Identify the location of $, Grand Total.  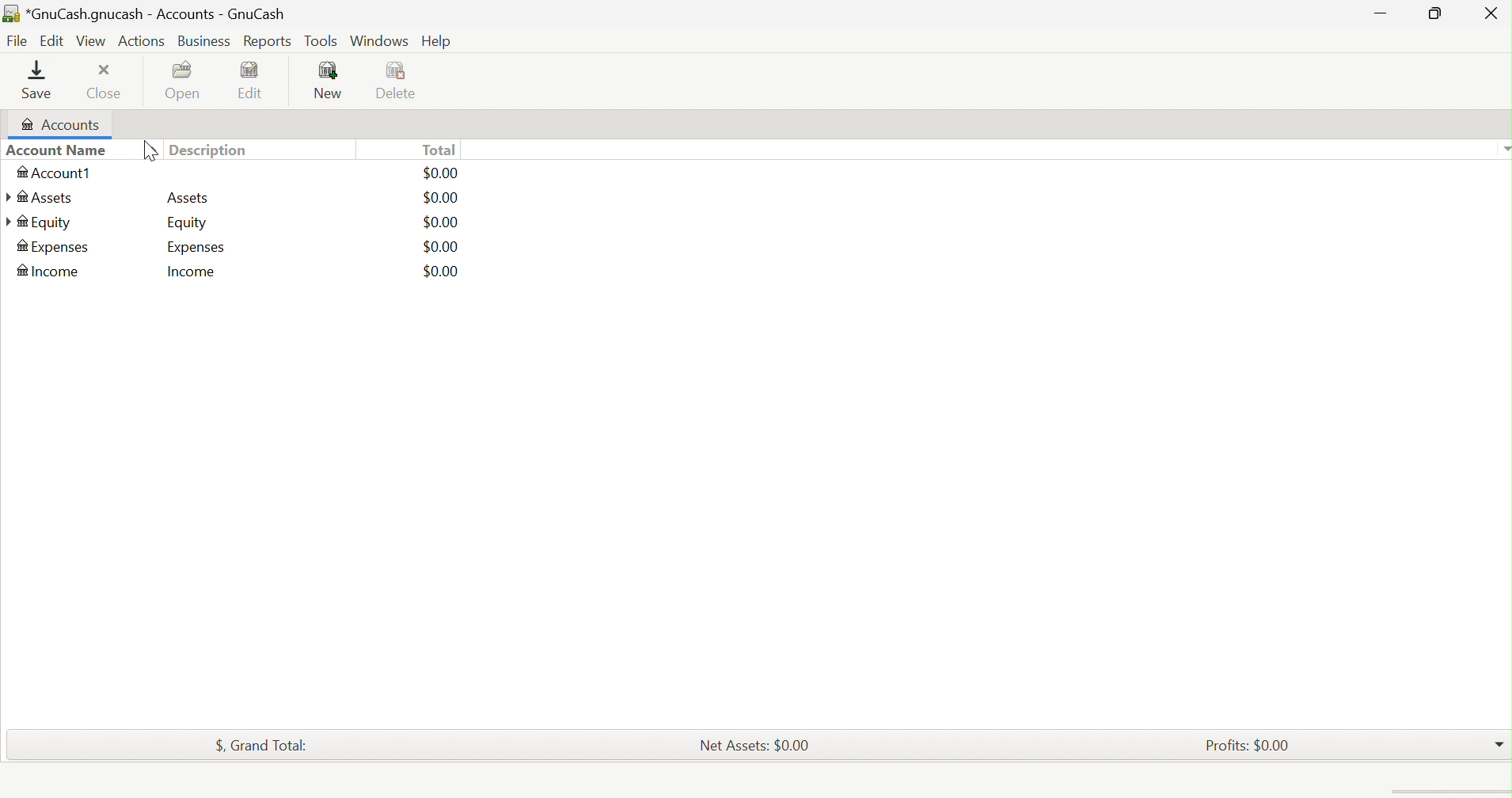
(262, 743).